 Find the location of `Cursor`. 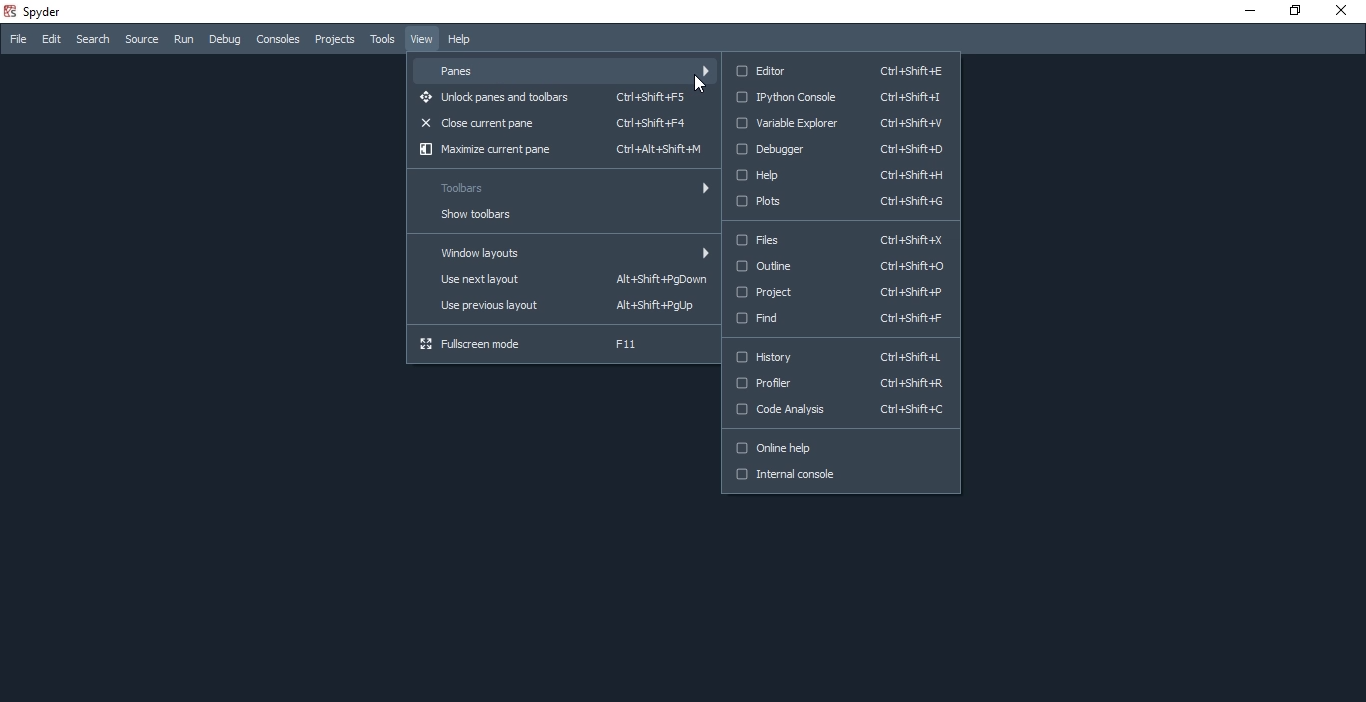

Cursor is located at coordinates (699, 86).